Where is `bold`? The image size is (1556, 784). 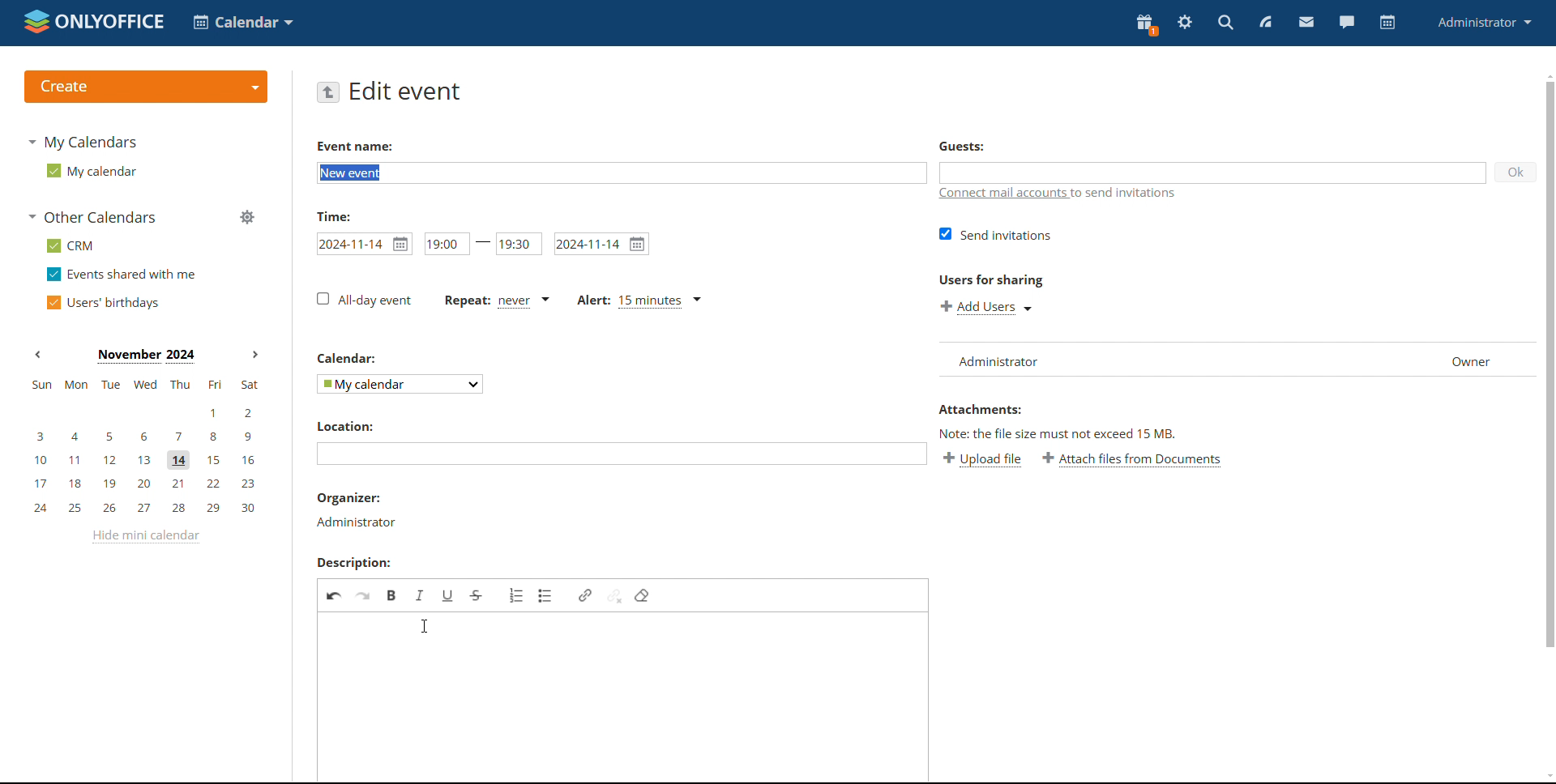
bold is located at coordinates (392, 594).